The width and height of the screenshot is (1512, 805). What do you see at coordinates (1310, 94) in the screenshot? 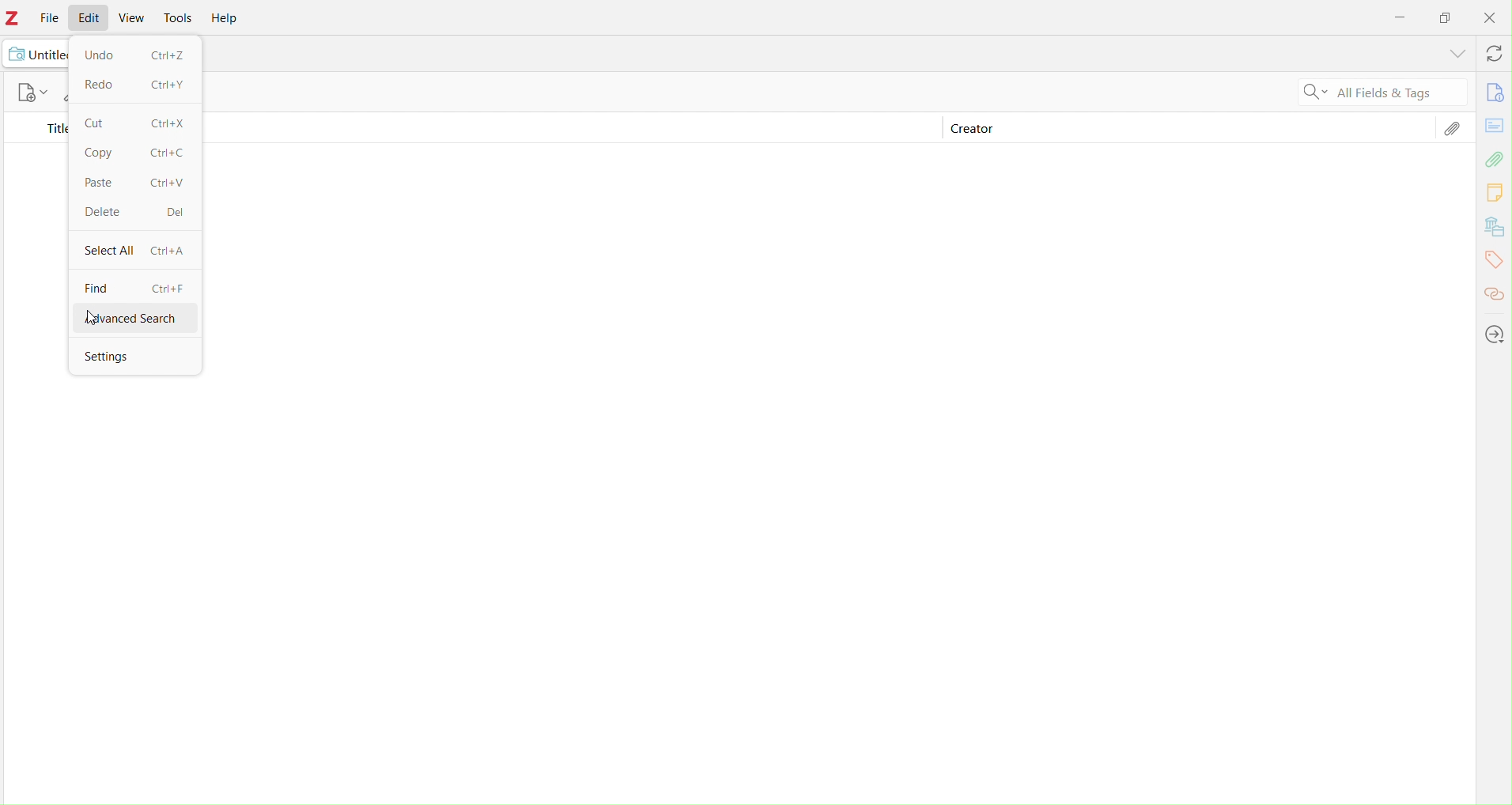
I see `Search` at bounding box center [1310, 94].